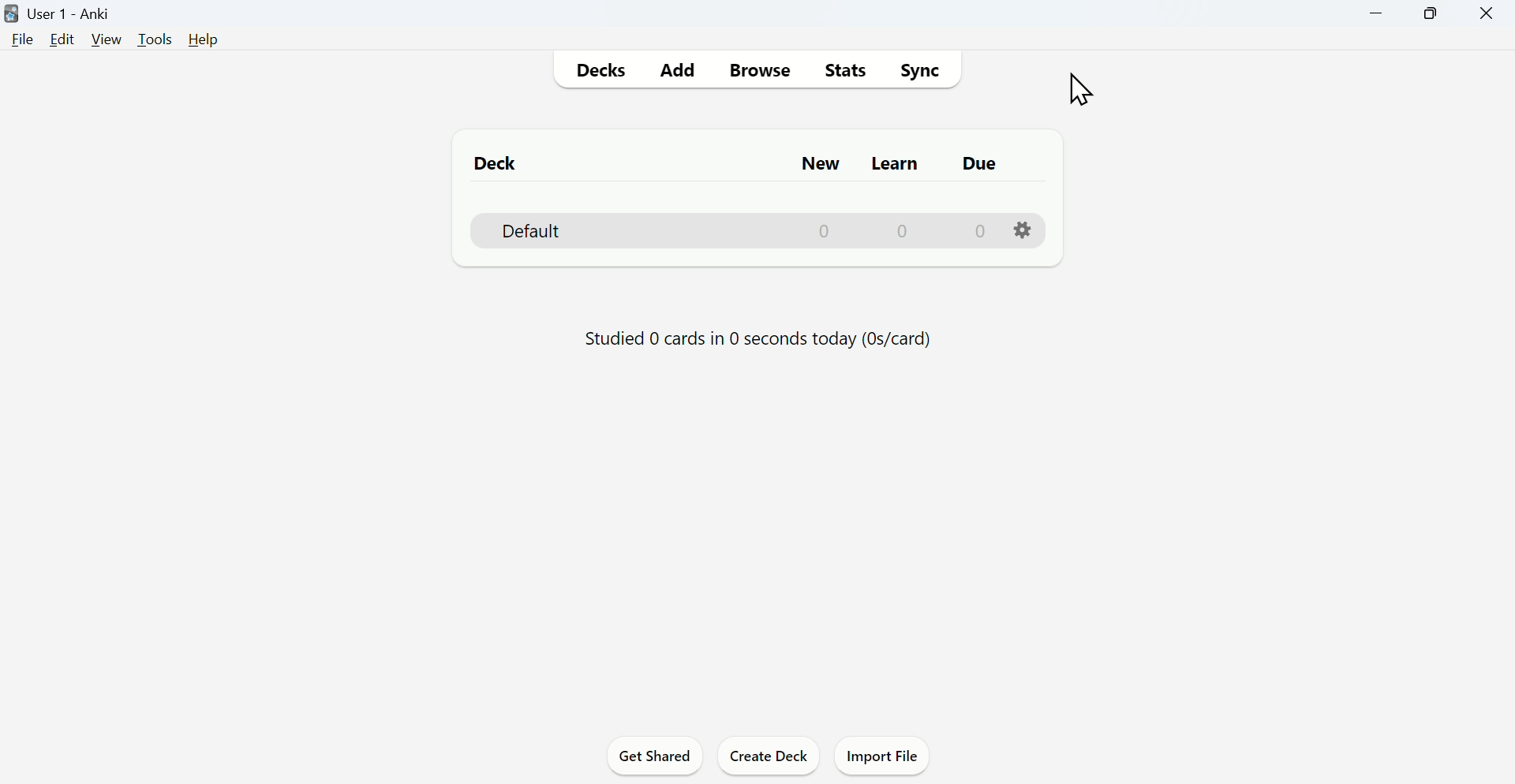 The height and width of the screenshot is (784, 1515). What do you see at coordinates (1083, 88) in the screenshot?
I see `Cursor` at bounding box center [1083, 88].